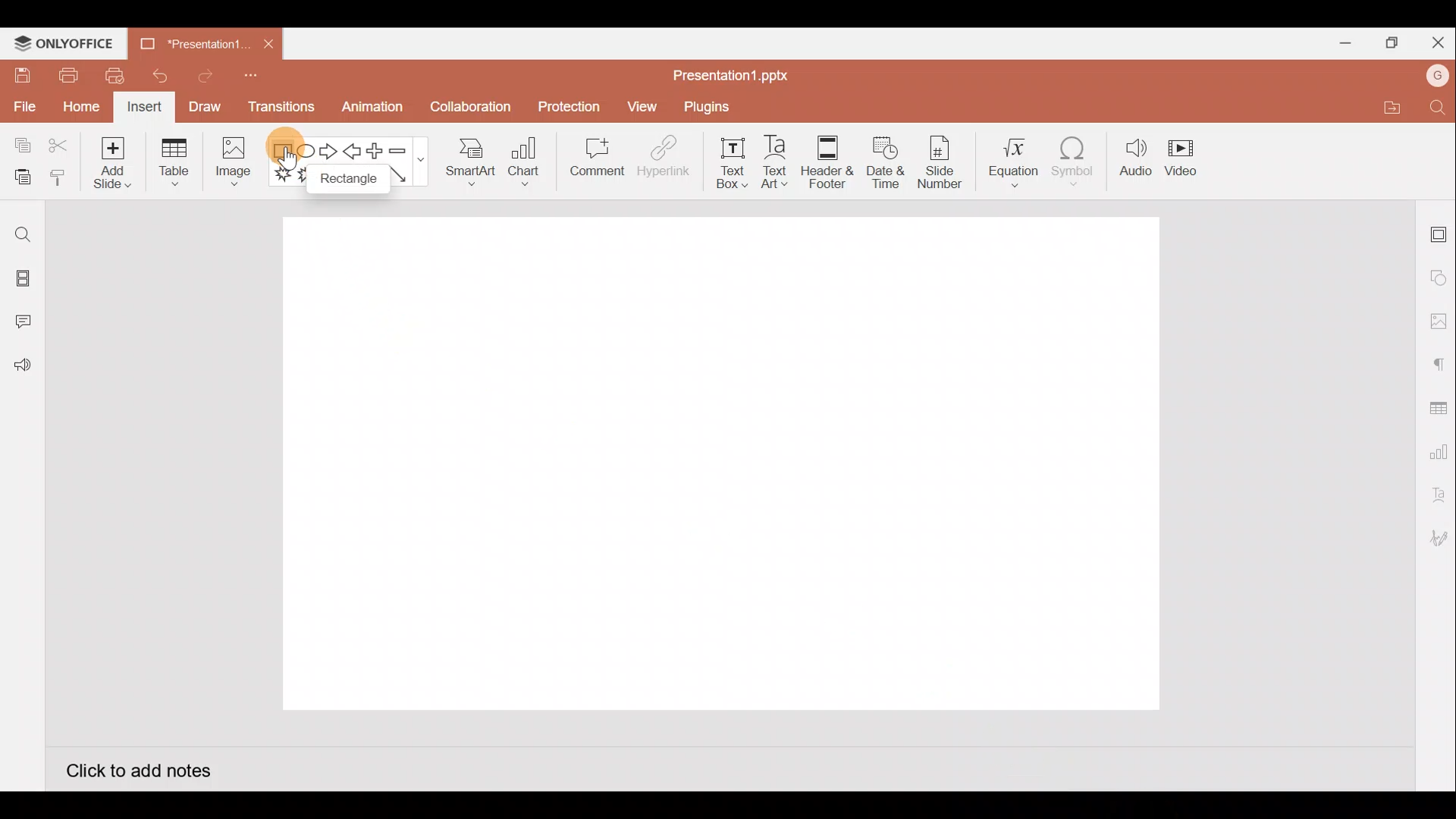  Describe the element at coordinates (23, 234) in the screenshot. I see `Find` at that location.